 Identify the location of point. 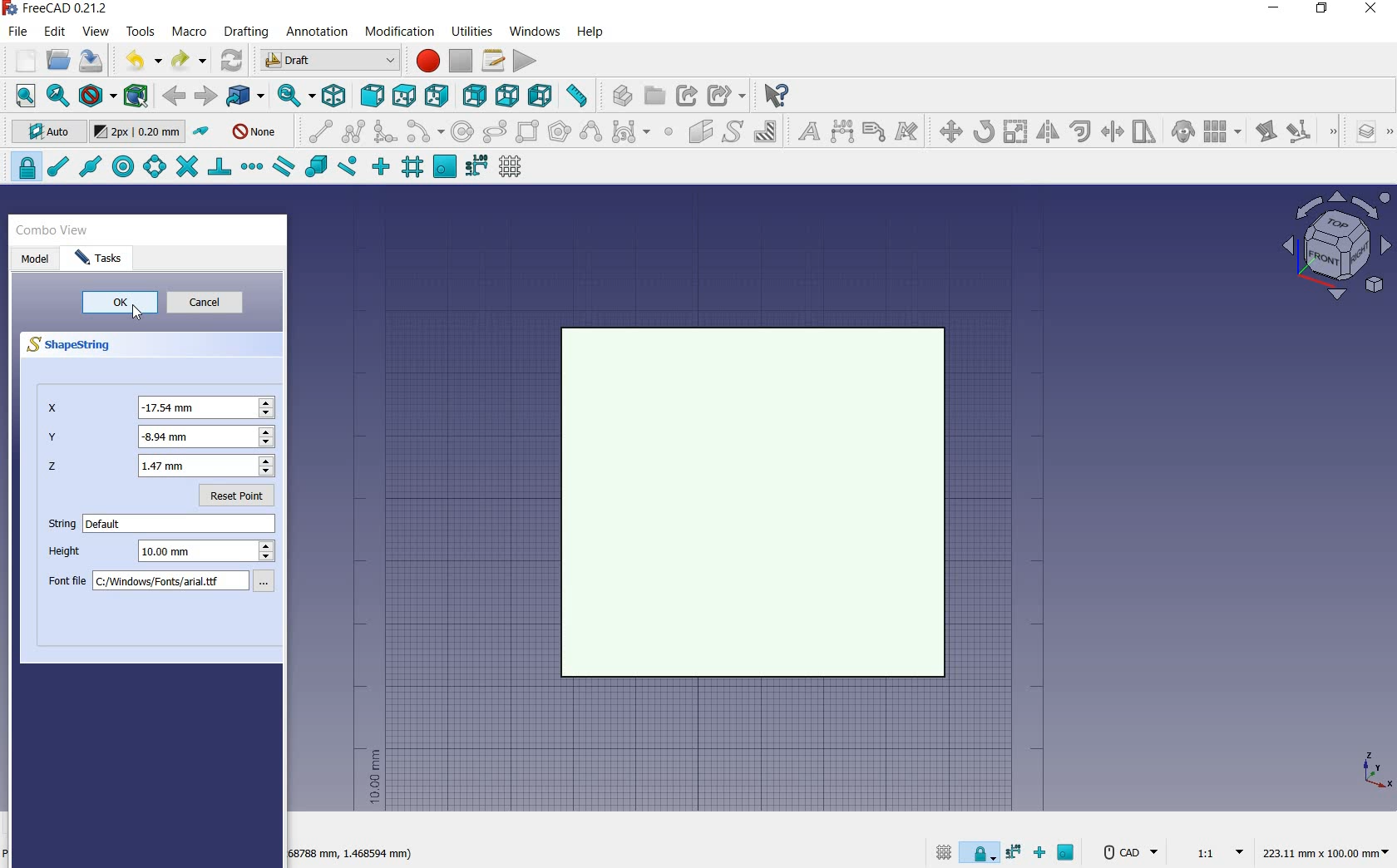
(668, 133).